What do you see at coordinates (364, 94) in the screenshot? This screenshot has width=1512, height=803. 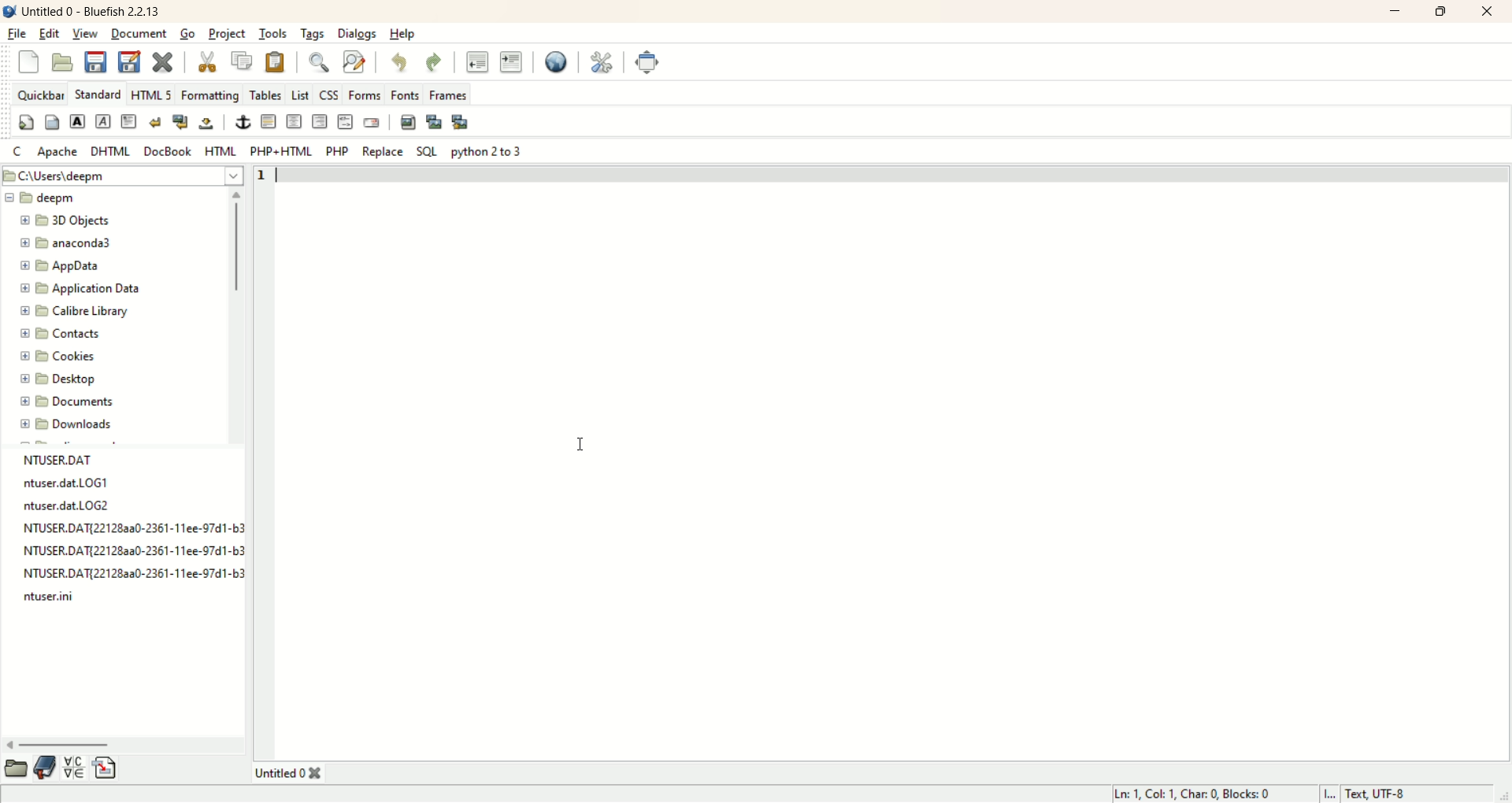 I see `forms` at bounding box center [364, 94].